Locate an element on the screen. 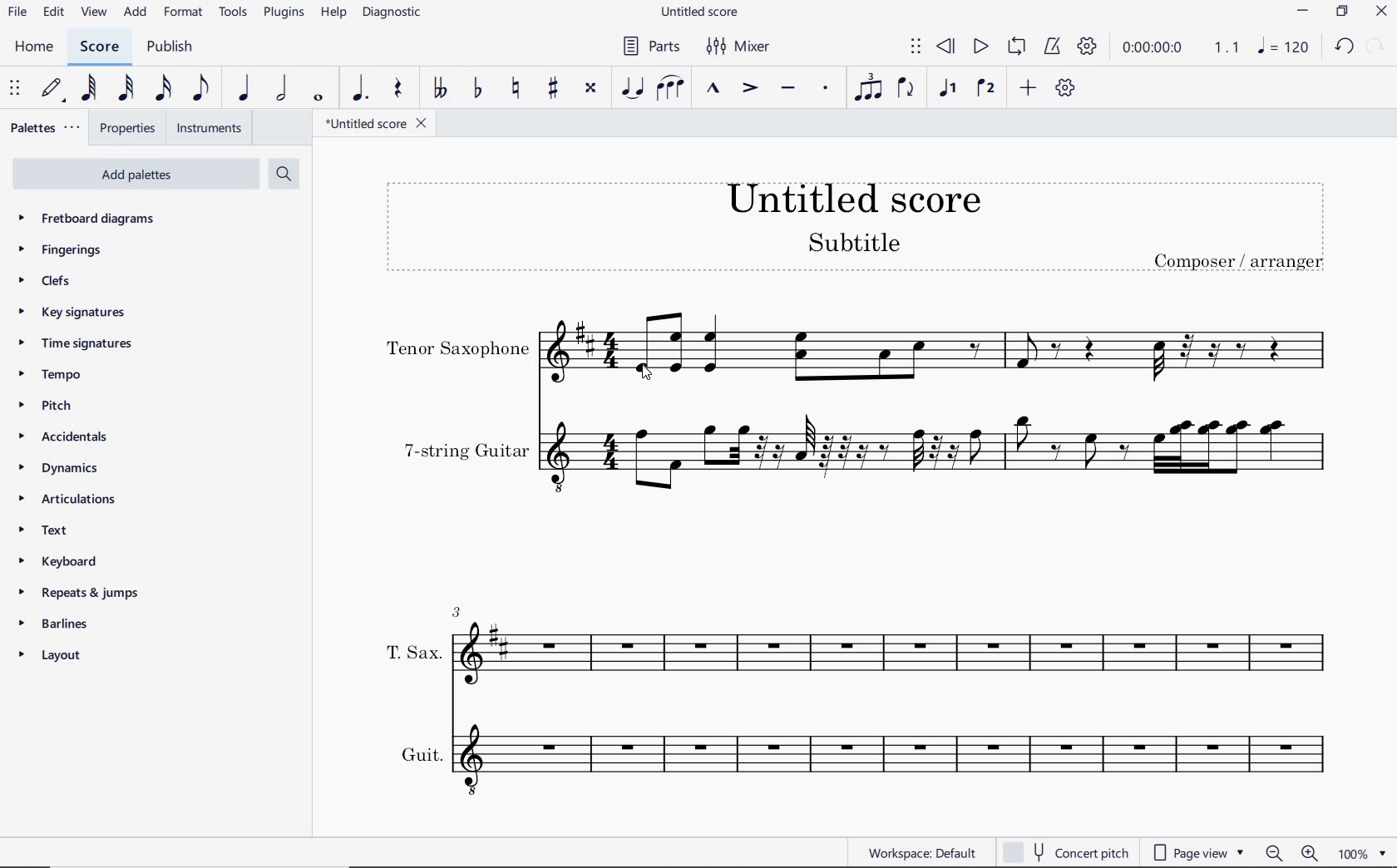 The height and width of the screenshot is (868, 1397). TOGGLE SHARP is located at coordinates (554, 87).